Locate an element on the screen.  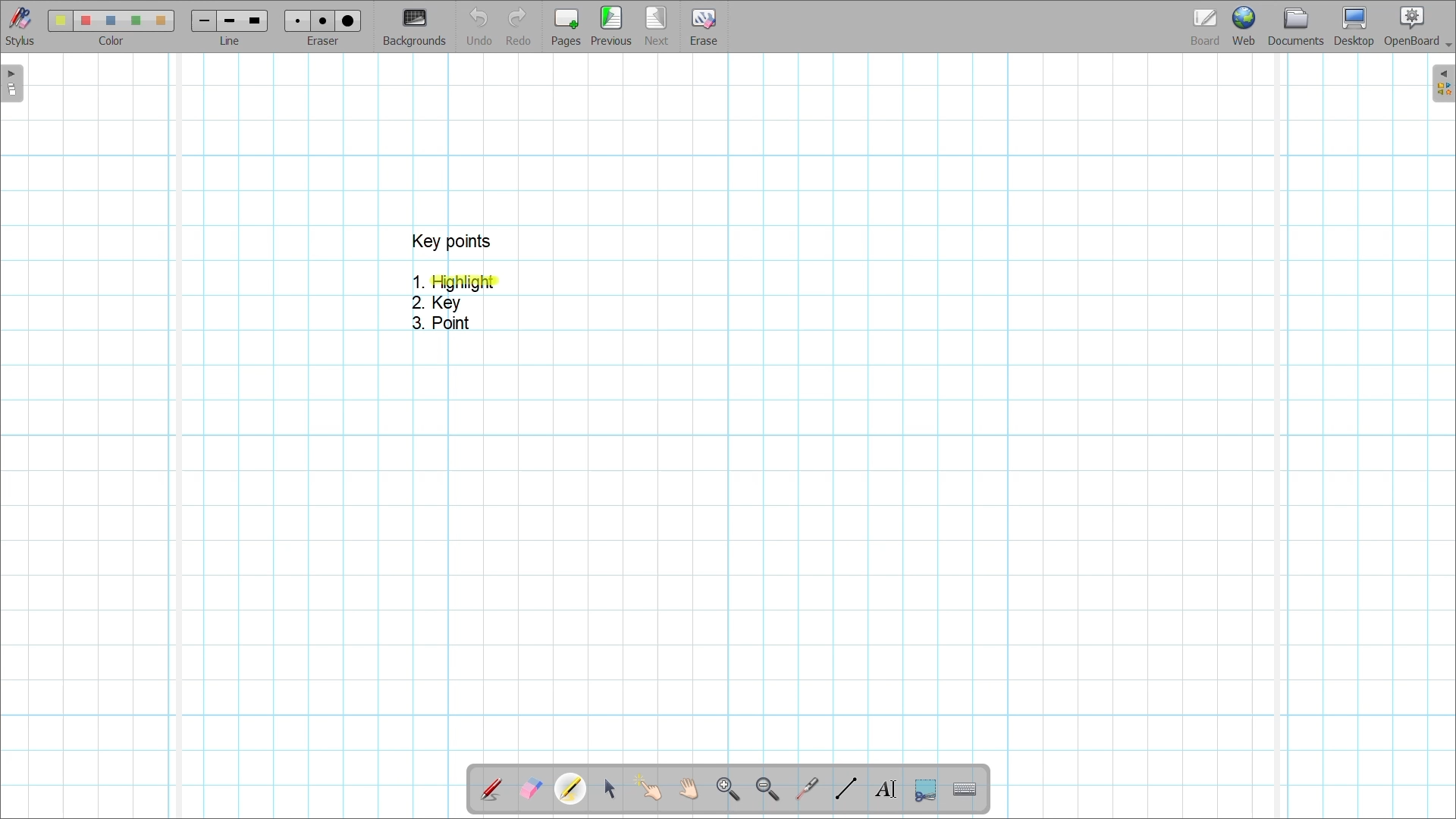
3. Point is located at coordinates (439, 323).